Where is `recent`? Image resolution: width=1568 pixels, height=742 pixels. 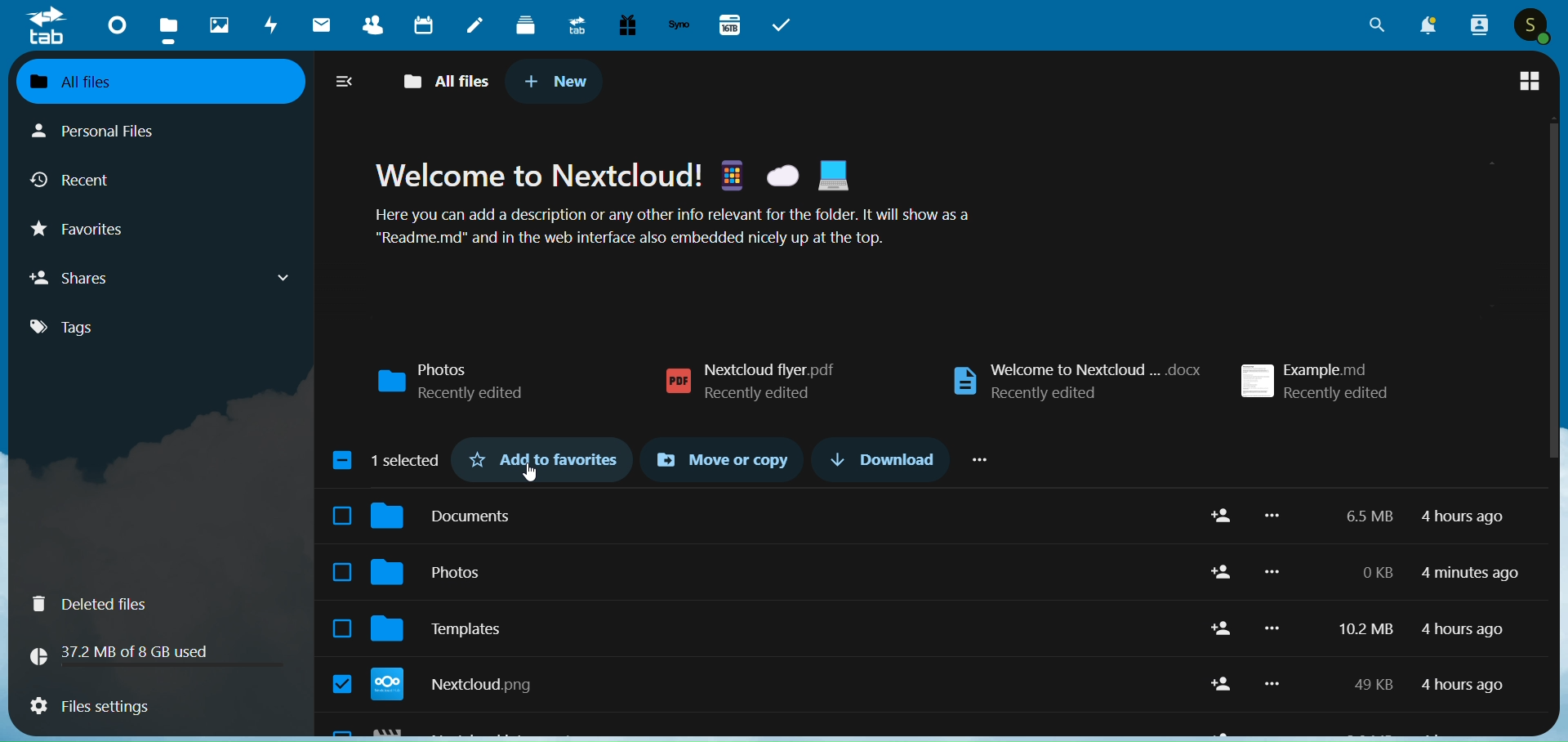
recent is located at coordinates (78, 177).